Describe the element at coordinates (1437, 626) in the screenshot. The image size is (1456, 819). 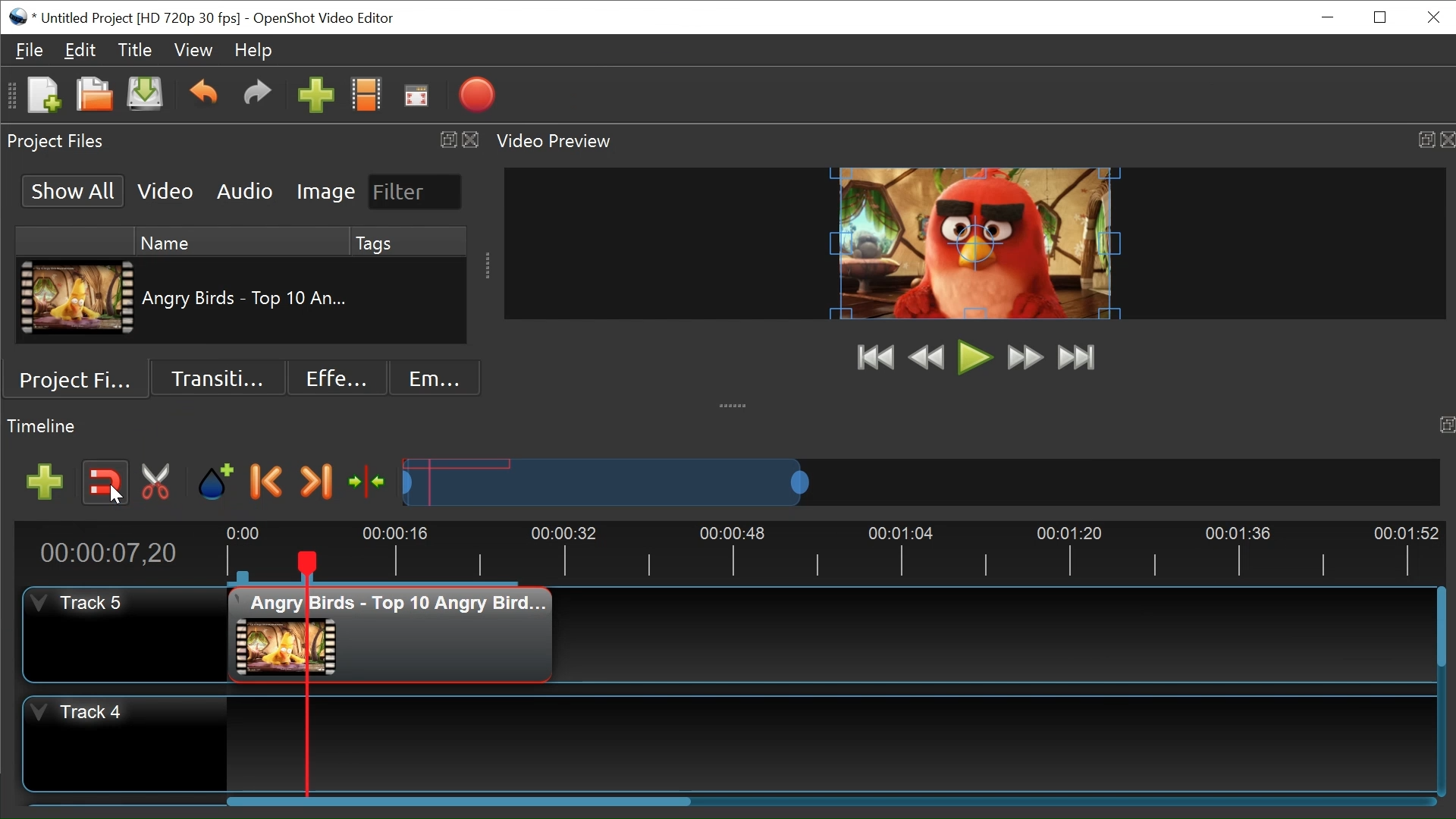
I see `Vertical Scroll bar` at that location.